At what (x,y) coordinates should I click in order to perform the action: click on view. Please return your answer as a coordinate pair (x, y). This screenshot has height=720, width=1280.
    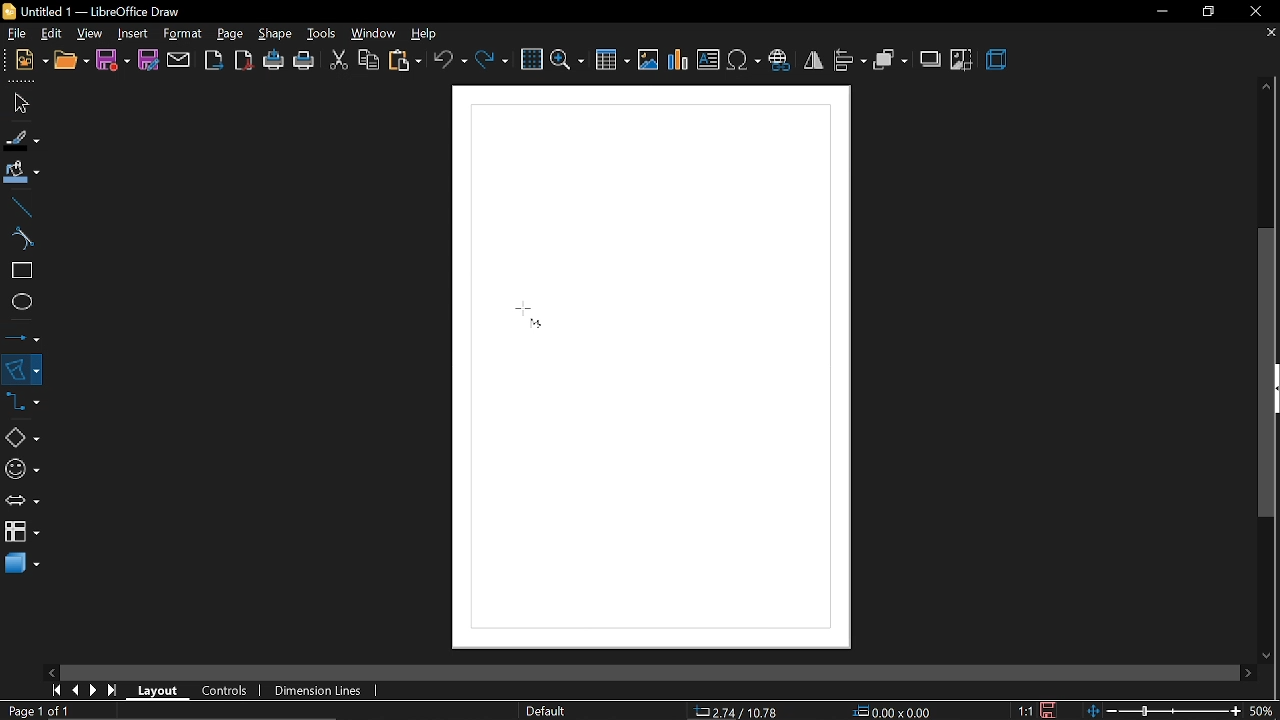
    Looking at the image, I should click on (90, 32).